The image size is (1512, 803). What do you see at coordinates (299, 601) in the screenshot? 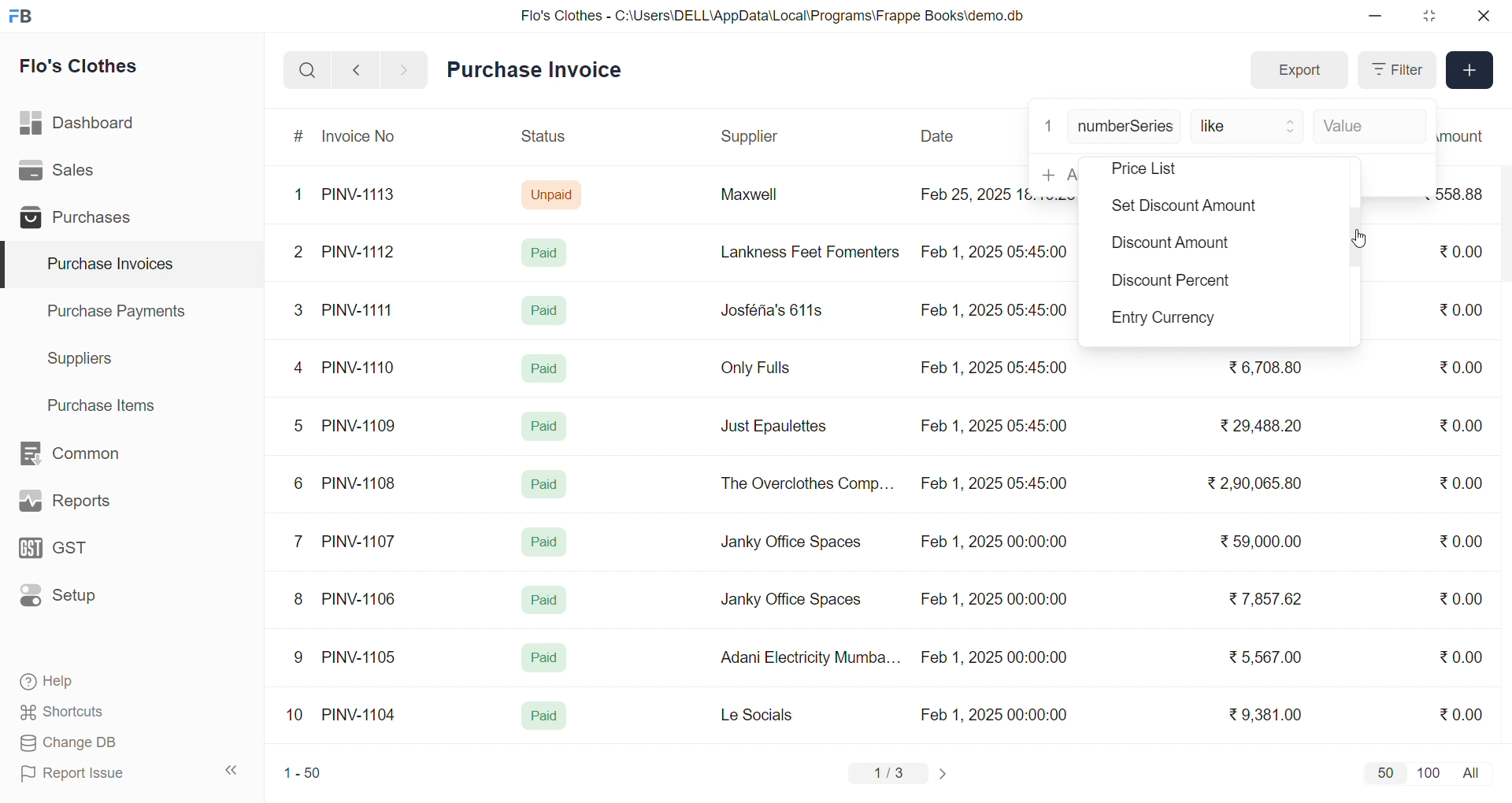
I see `8` at bounding box center [299, 601].